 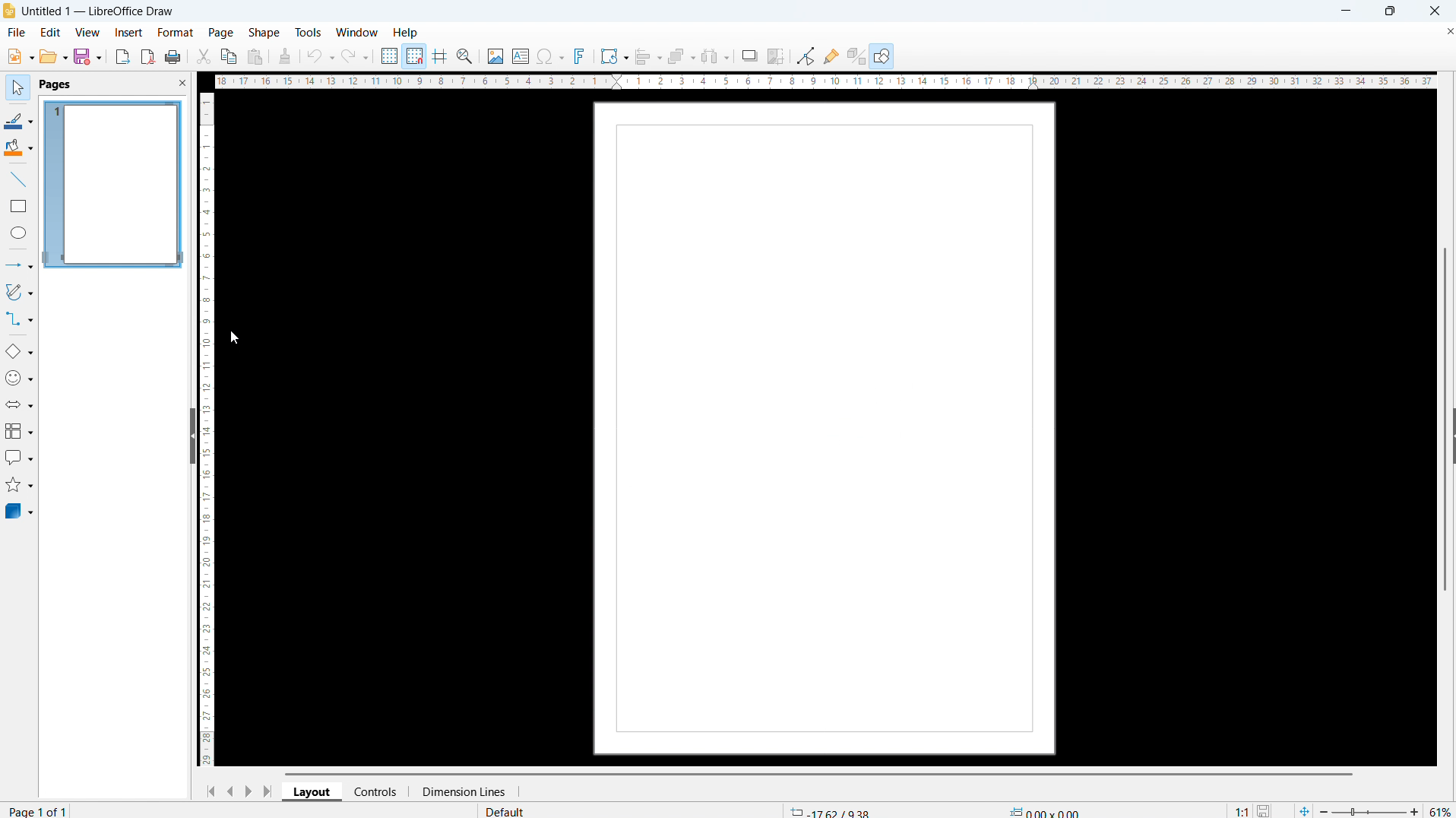 I want to click on document title, so click(x=100, y=12).